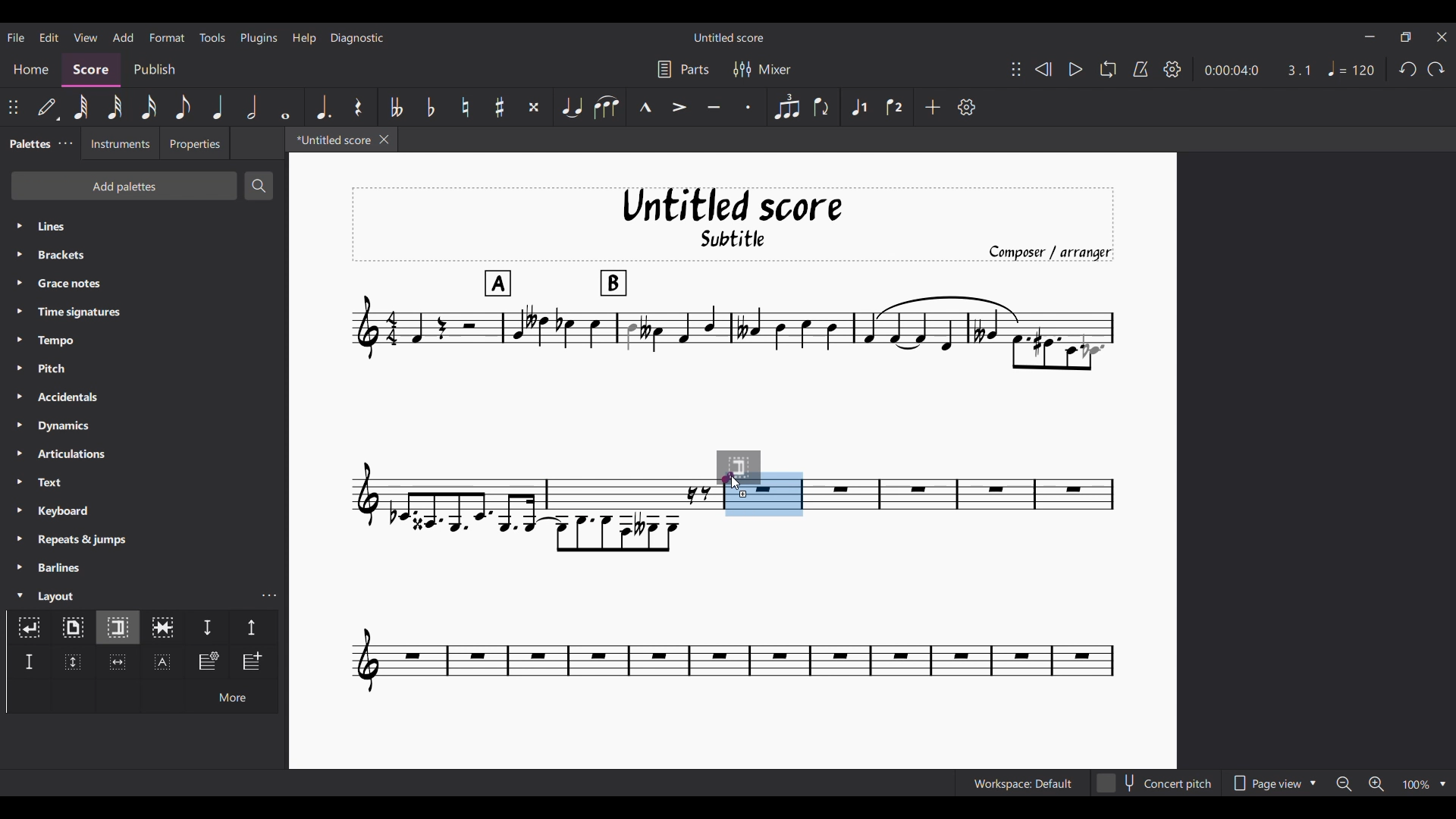 The height and width of the screenshot is (819, 1456). Describe the element at coordinates (29, 662) in the screenshot. I see `Staff spacer fixed down` at that location.